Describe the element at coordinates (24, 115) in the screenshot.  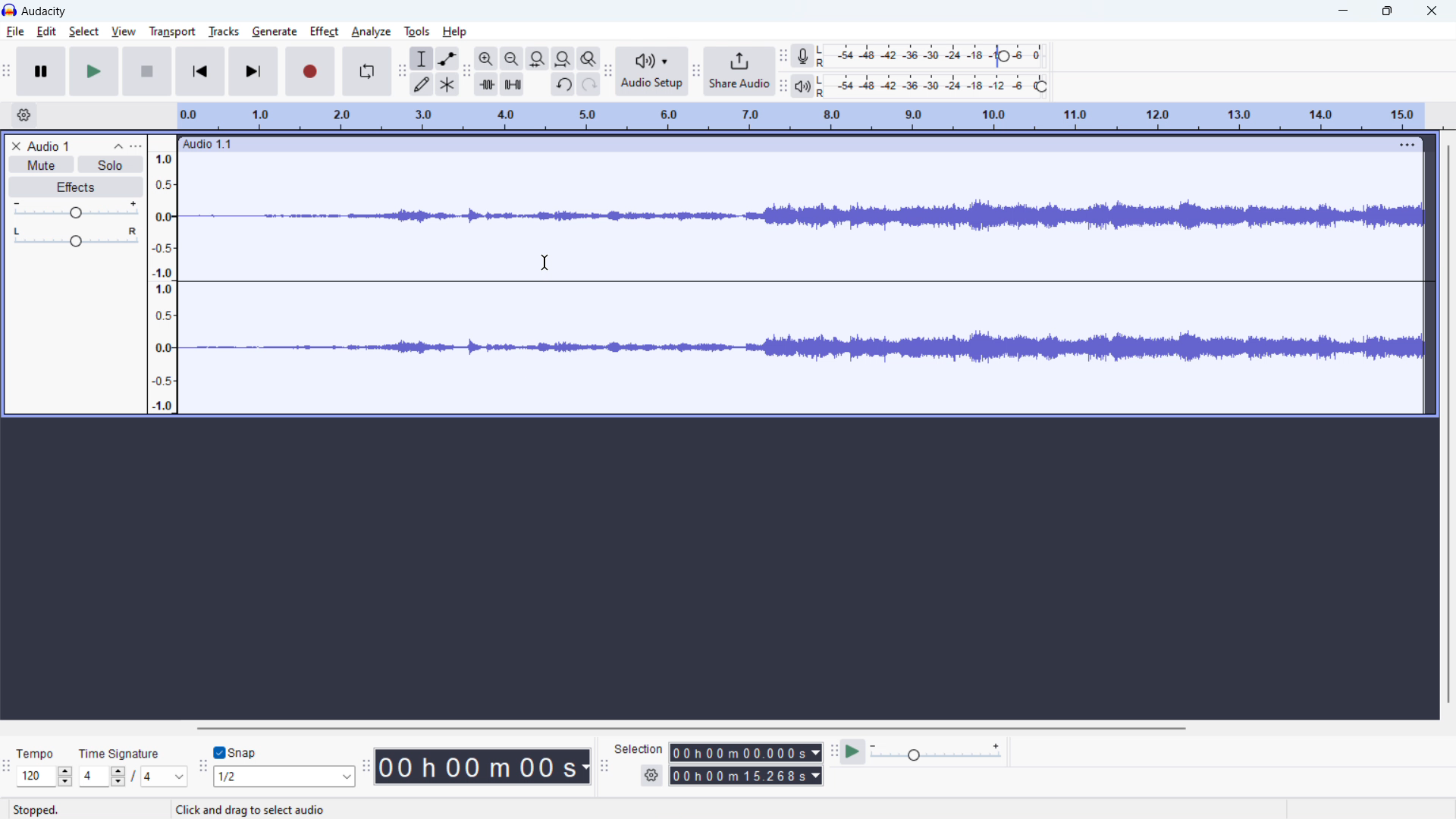
I see `timeline settings` at that location.